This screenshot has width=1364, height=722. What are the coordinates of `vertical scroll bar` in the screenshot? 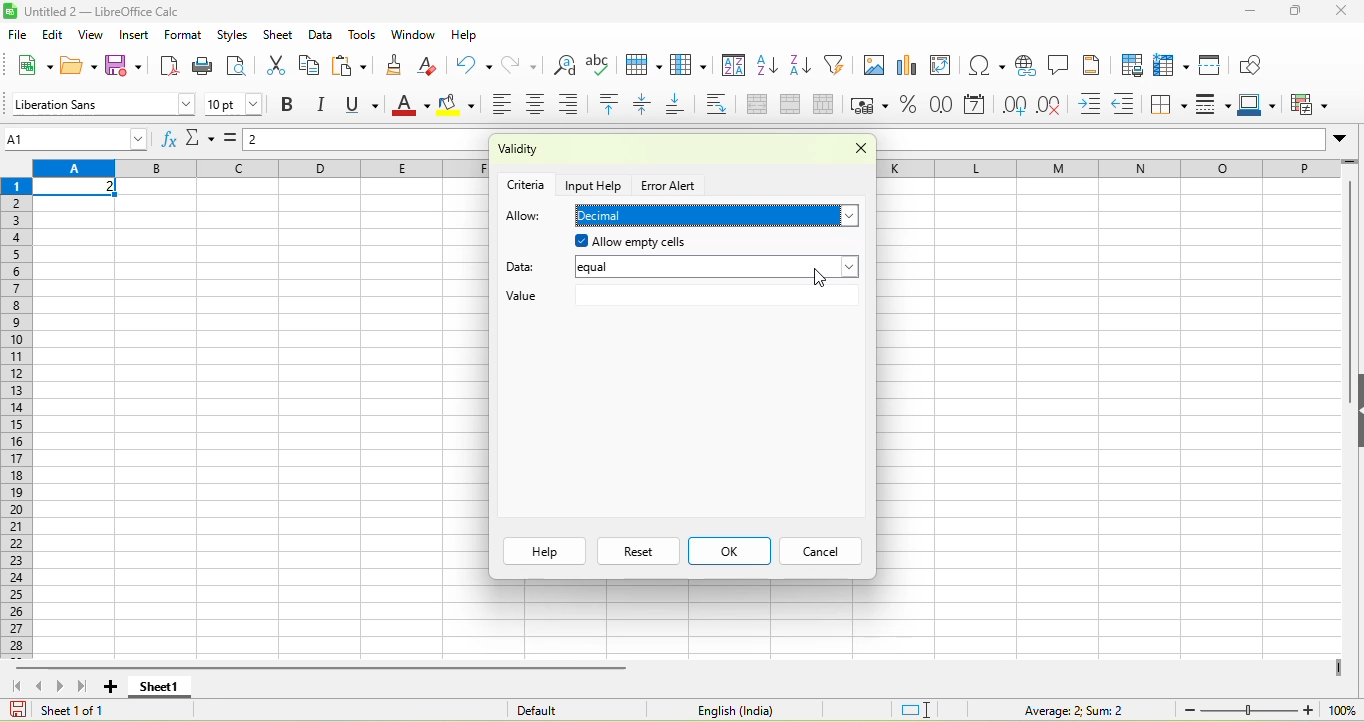 It's located at (1347, 300).